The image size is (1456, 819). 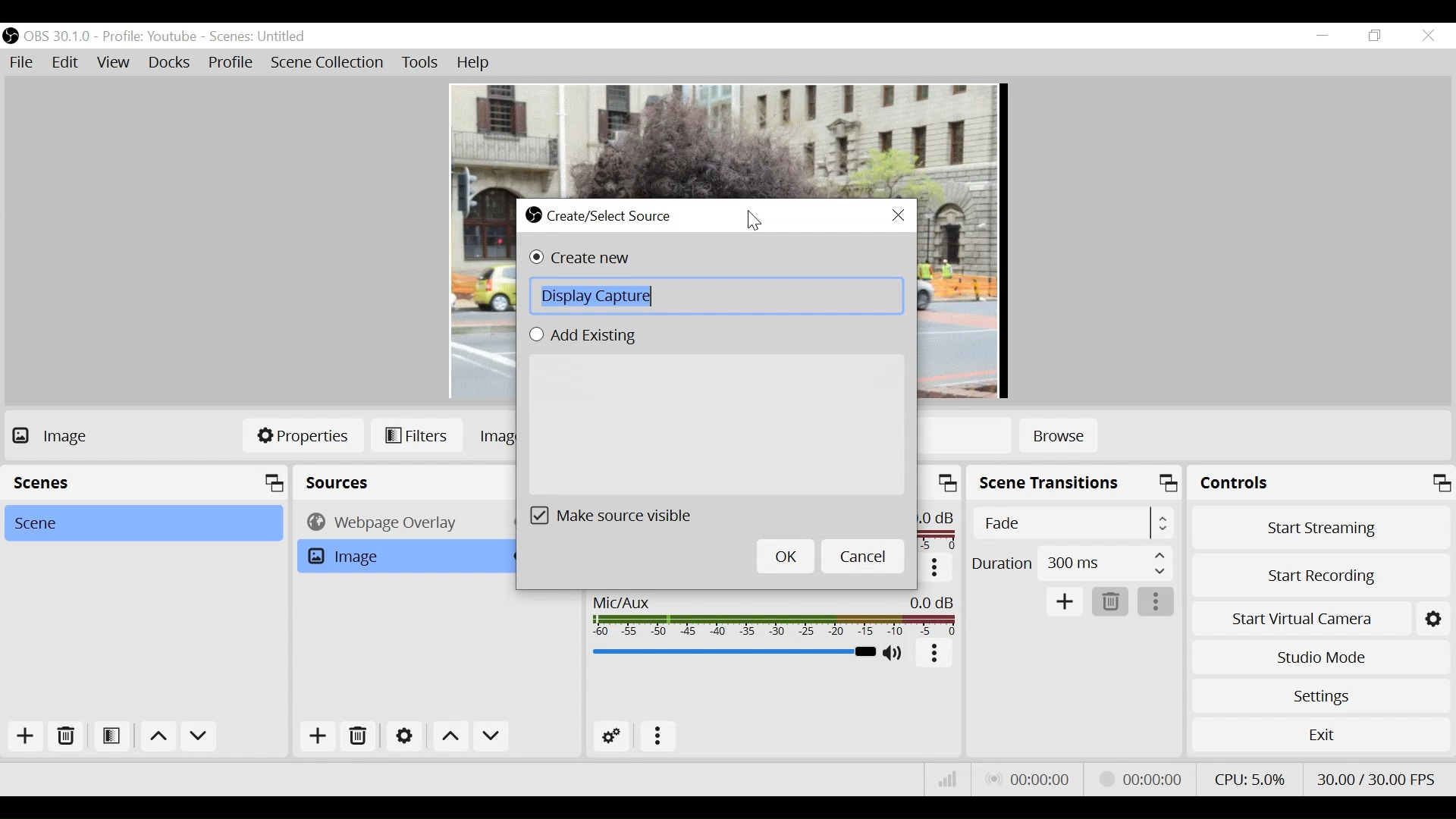 I want to click on Duration, so click(x=1071, y=565).